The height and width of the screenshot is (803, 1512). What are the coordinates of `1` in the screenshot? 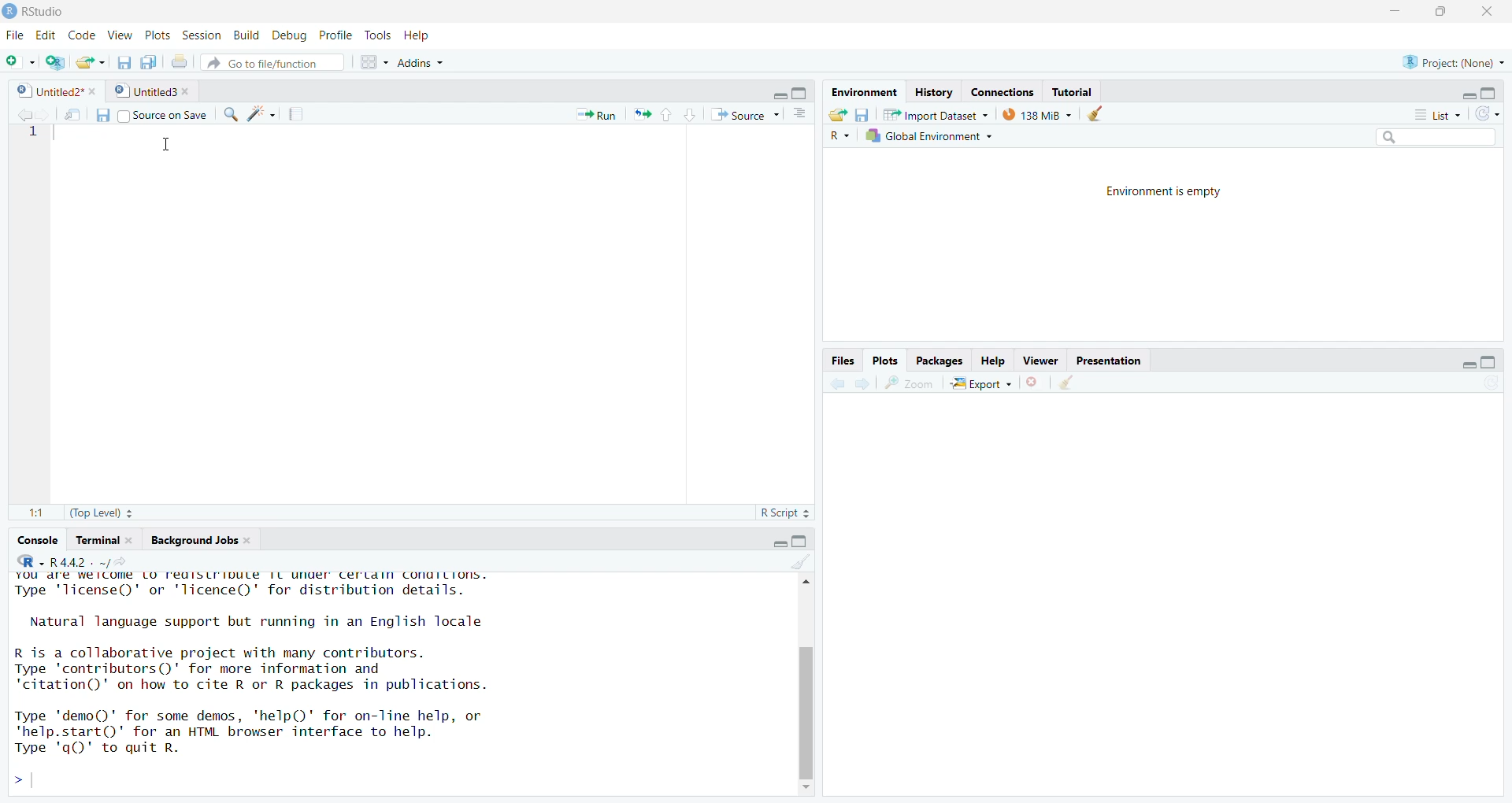 It's located at (34, 142).